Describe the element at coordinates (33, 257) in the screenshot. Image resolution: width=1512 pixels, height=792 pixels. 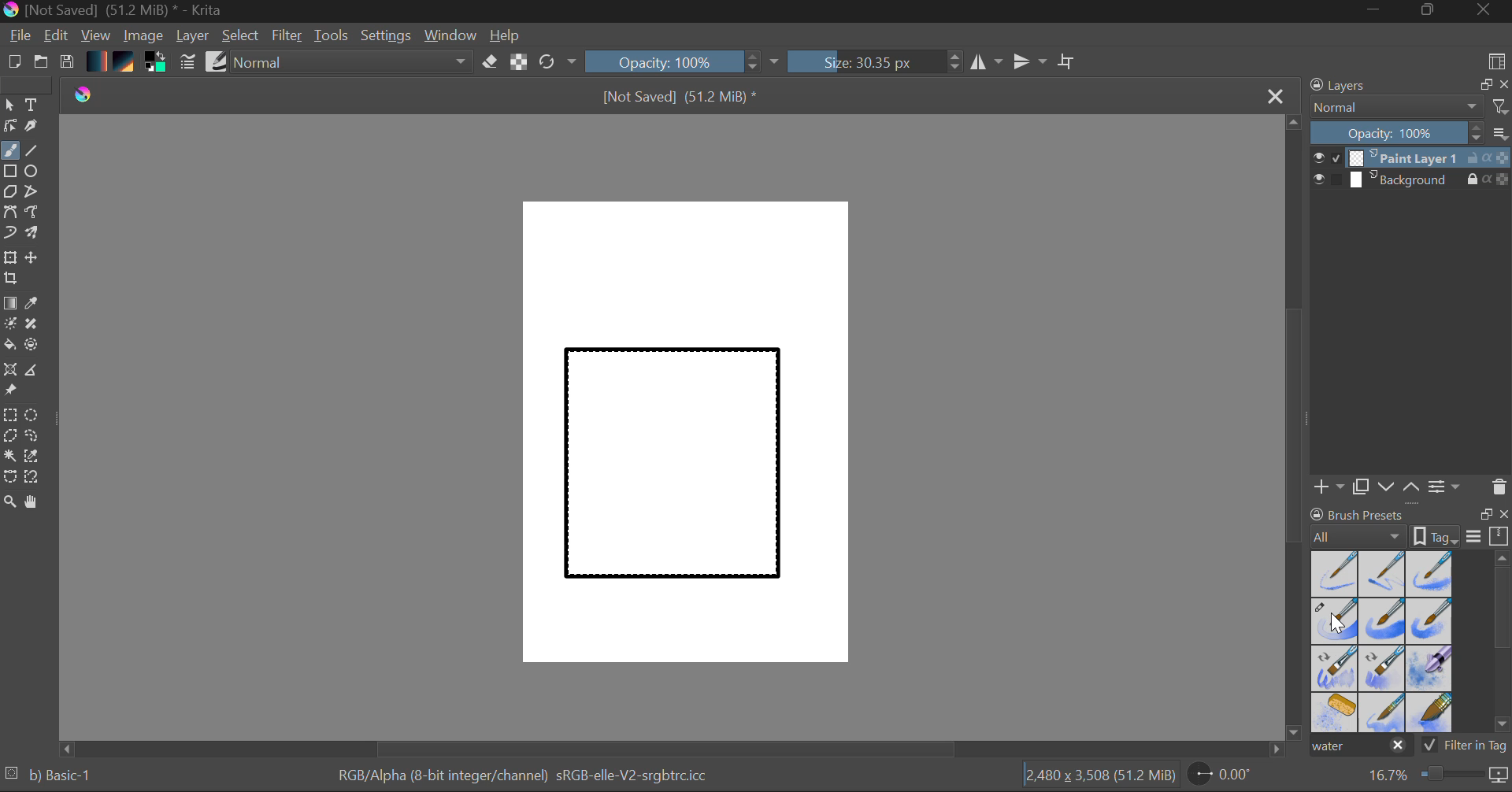
I see `Move Layer` at that location.